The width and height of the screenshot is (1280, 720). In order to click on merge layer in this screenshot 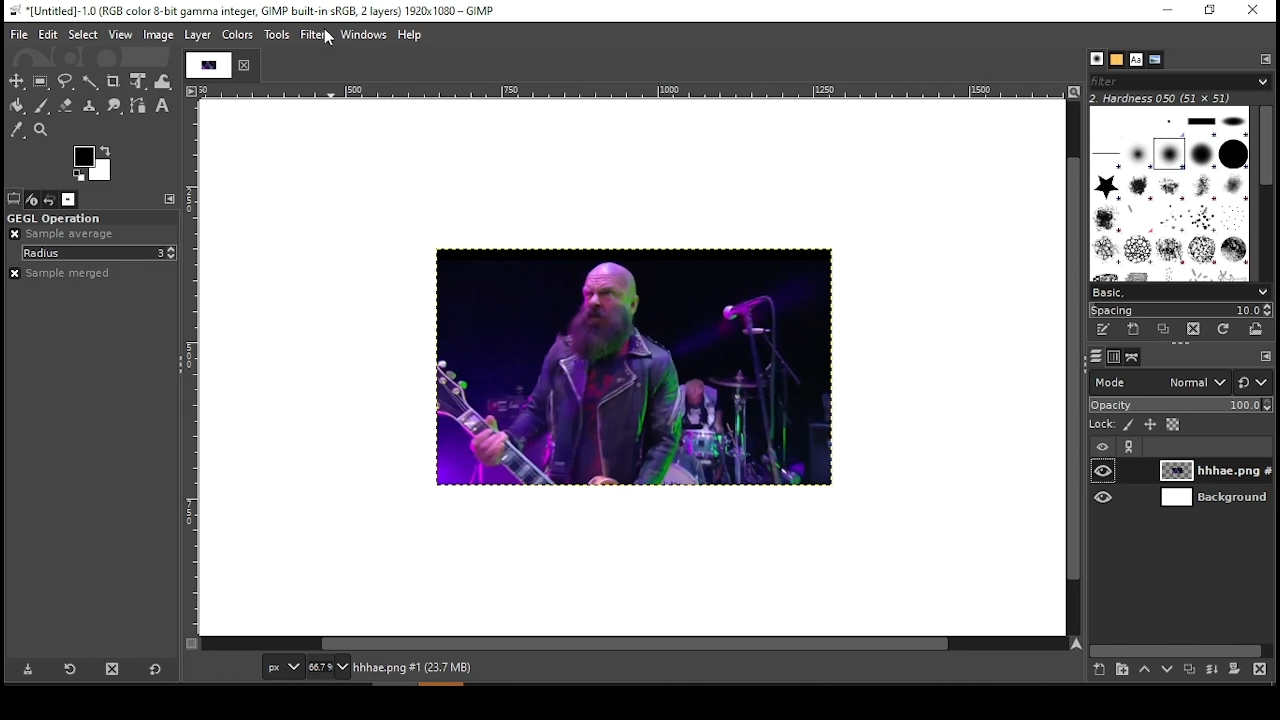, I will do `click(1212, 670)`.